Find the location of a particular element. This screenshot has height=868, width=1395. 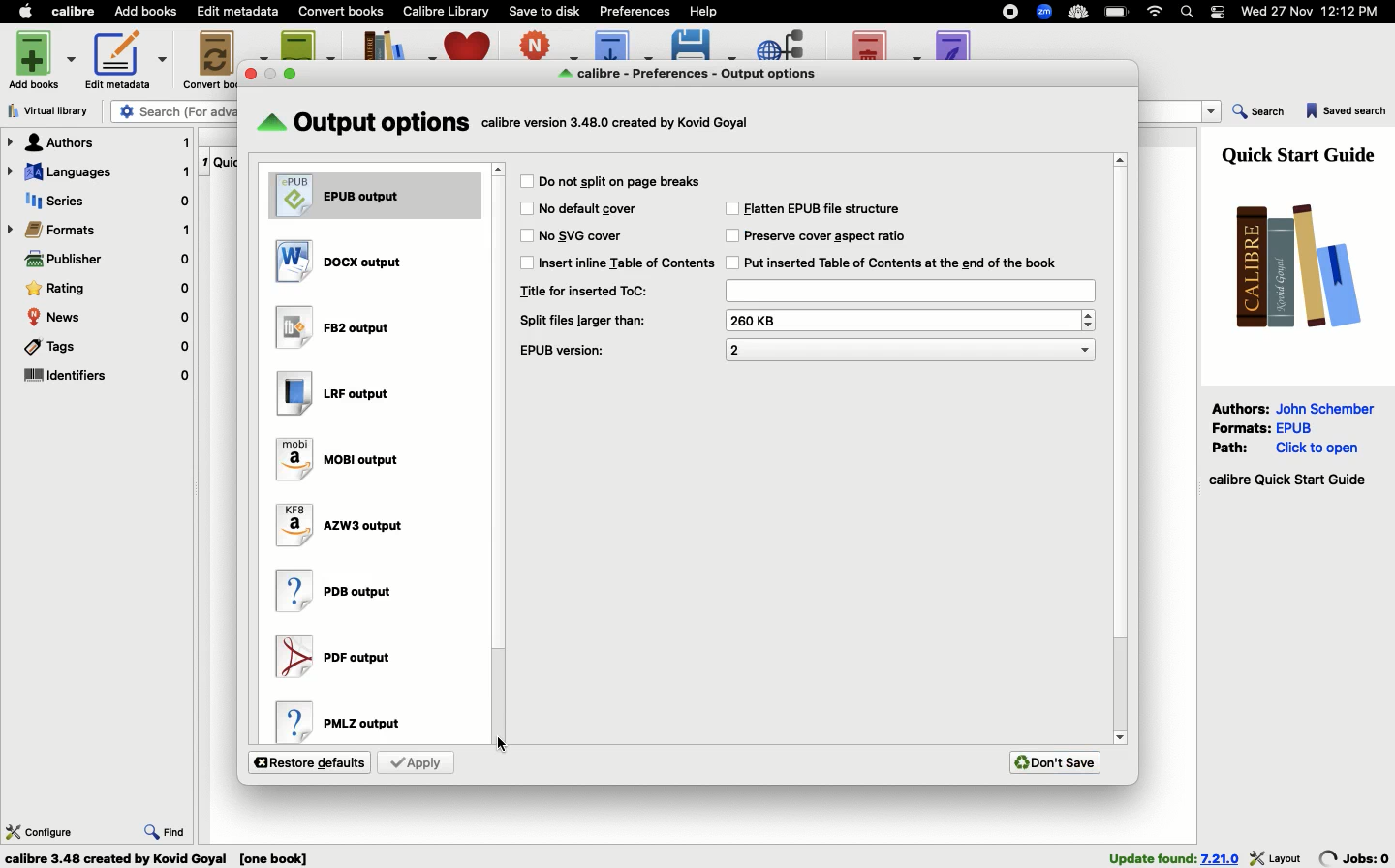

Output options is located at coordinates (365, 124).